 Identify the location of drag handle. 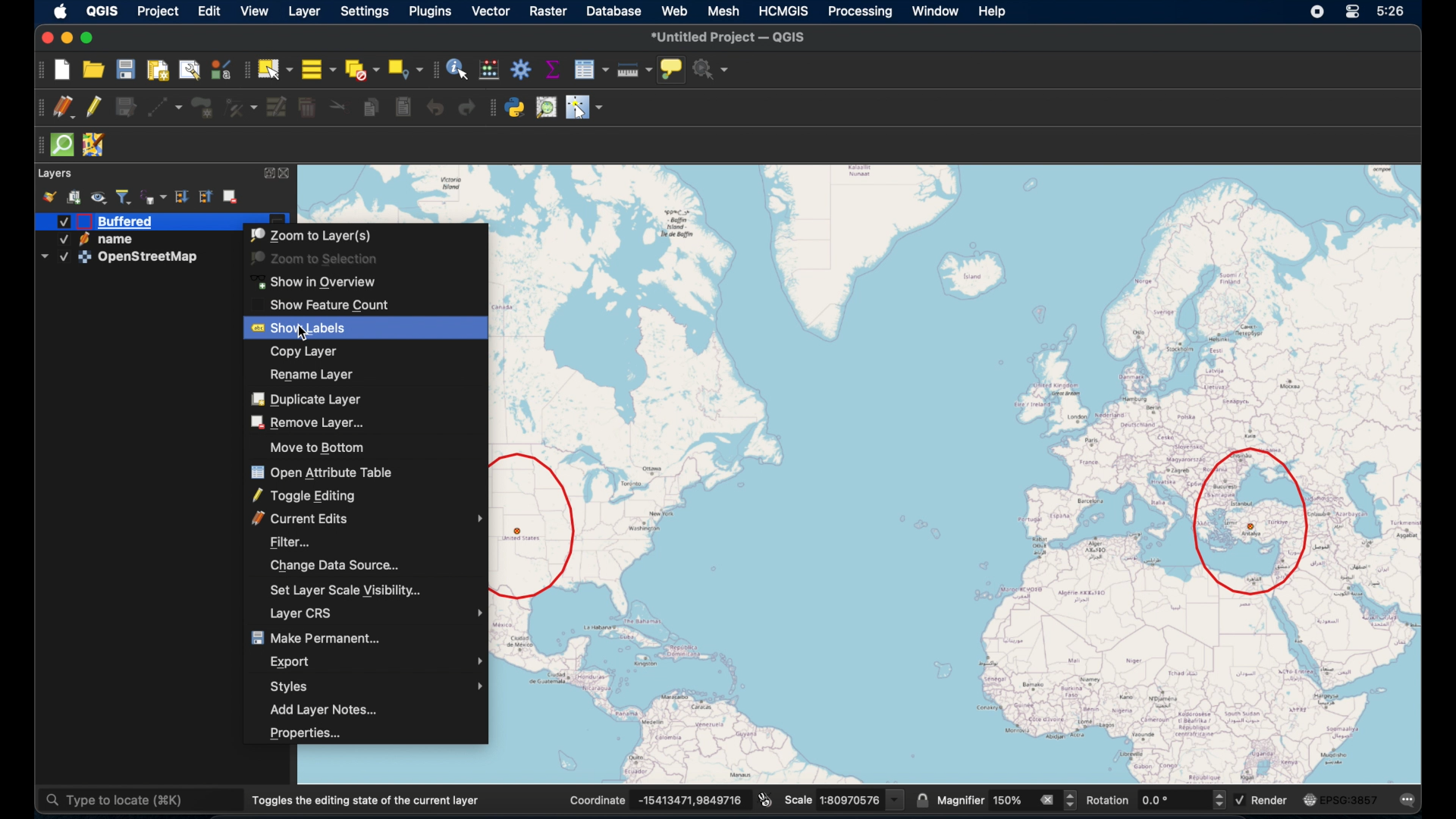
(36, 146).